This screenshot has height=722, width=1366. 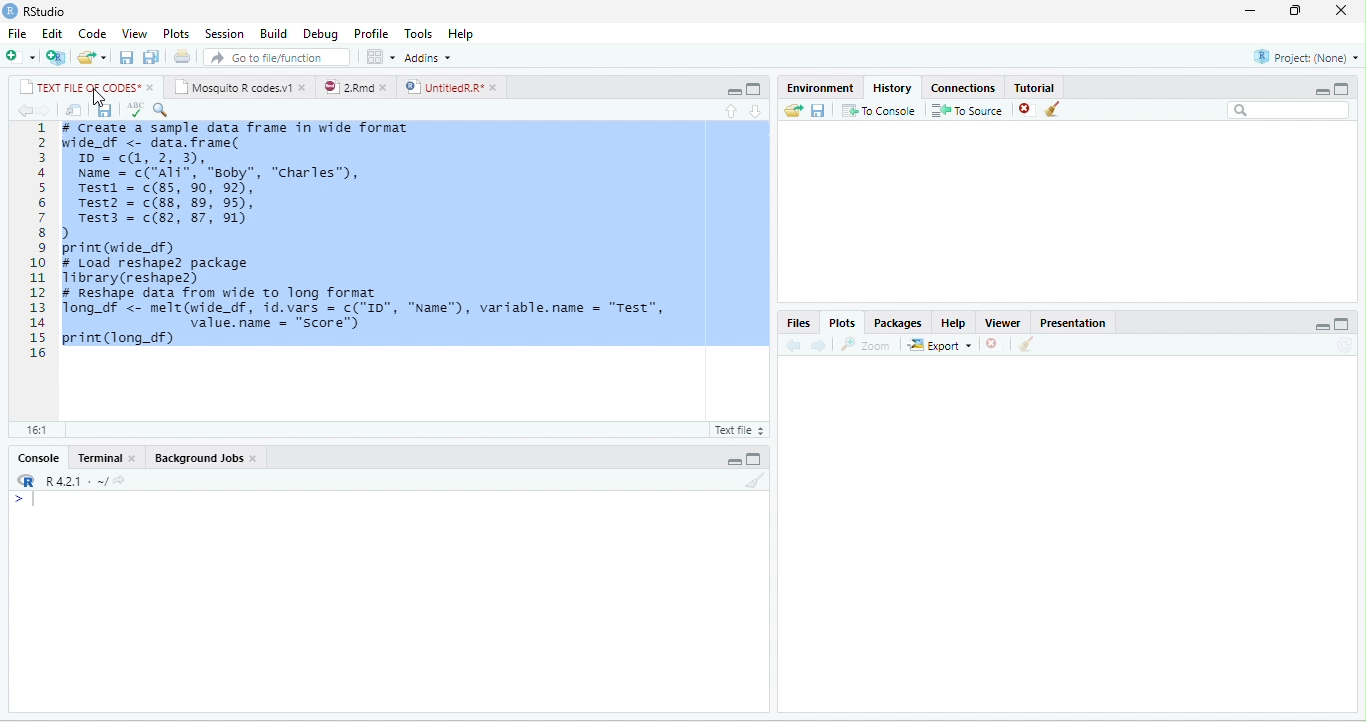 What do you see at coordinates (1249, 12) in the screenshot?
I see `minimize` at bounding box center [1249, 12].